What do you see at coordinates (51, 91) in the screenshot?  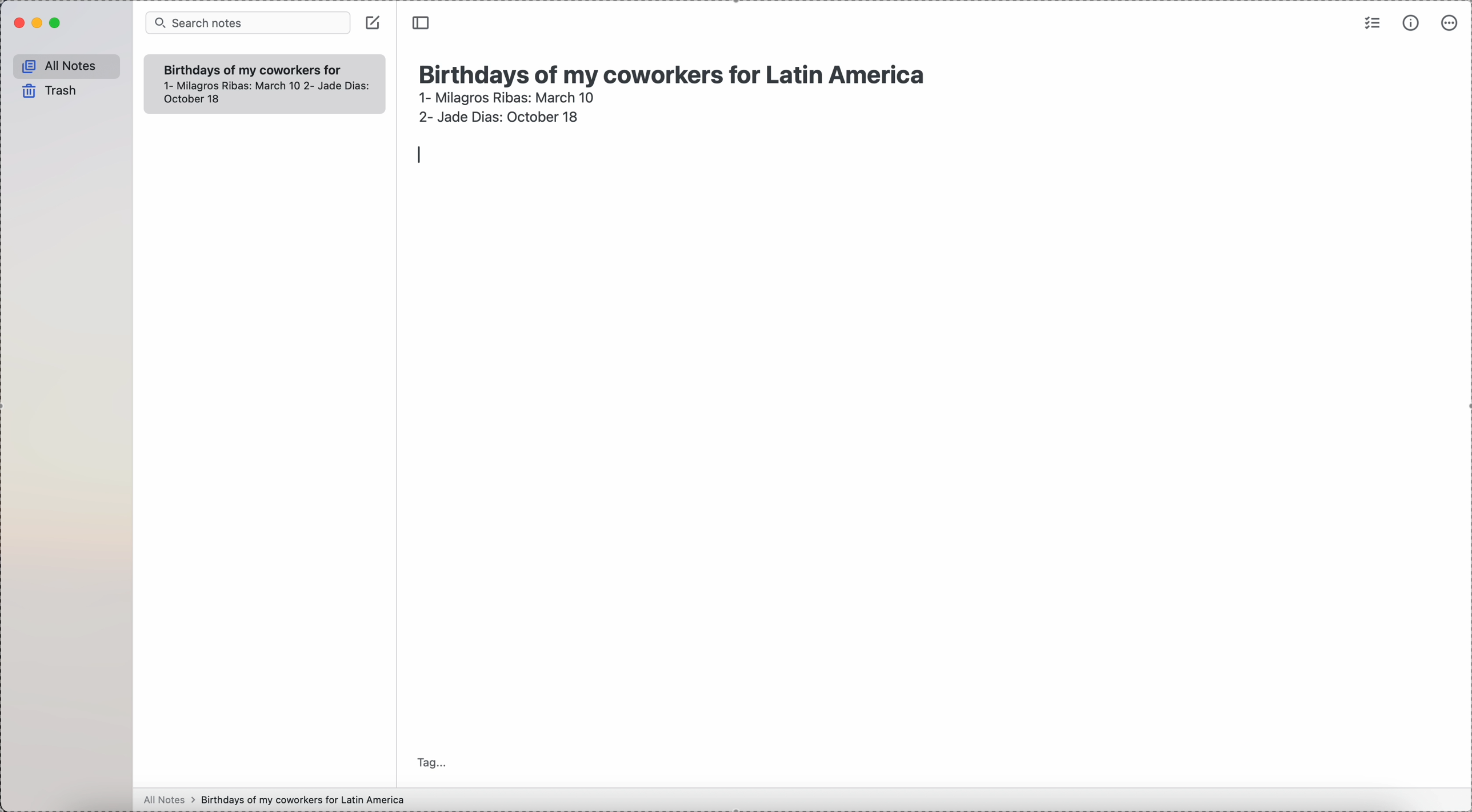 I see `trash` at bounding box center [51, 91].